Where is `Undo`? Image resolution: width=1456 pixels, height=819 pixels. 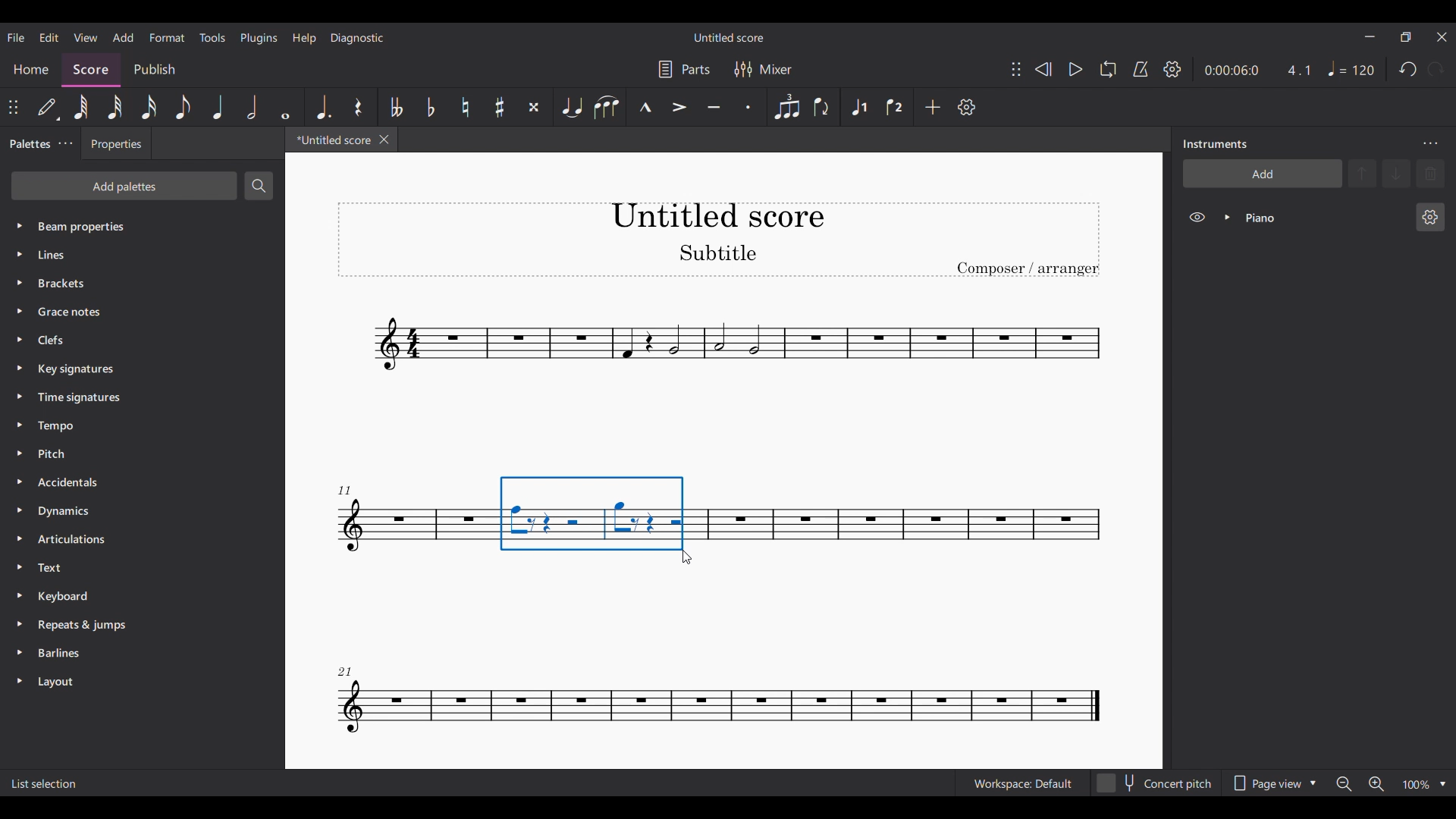
Undo is located at coordinates (1409, 69).